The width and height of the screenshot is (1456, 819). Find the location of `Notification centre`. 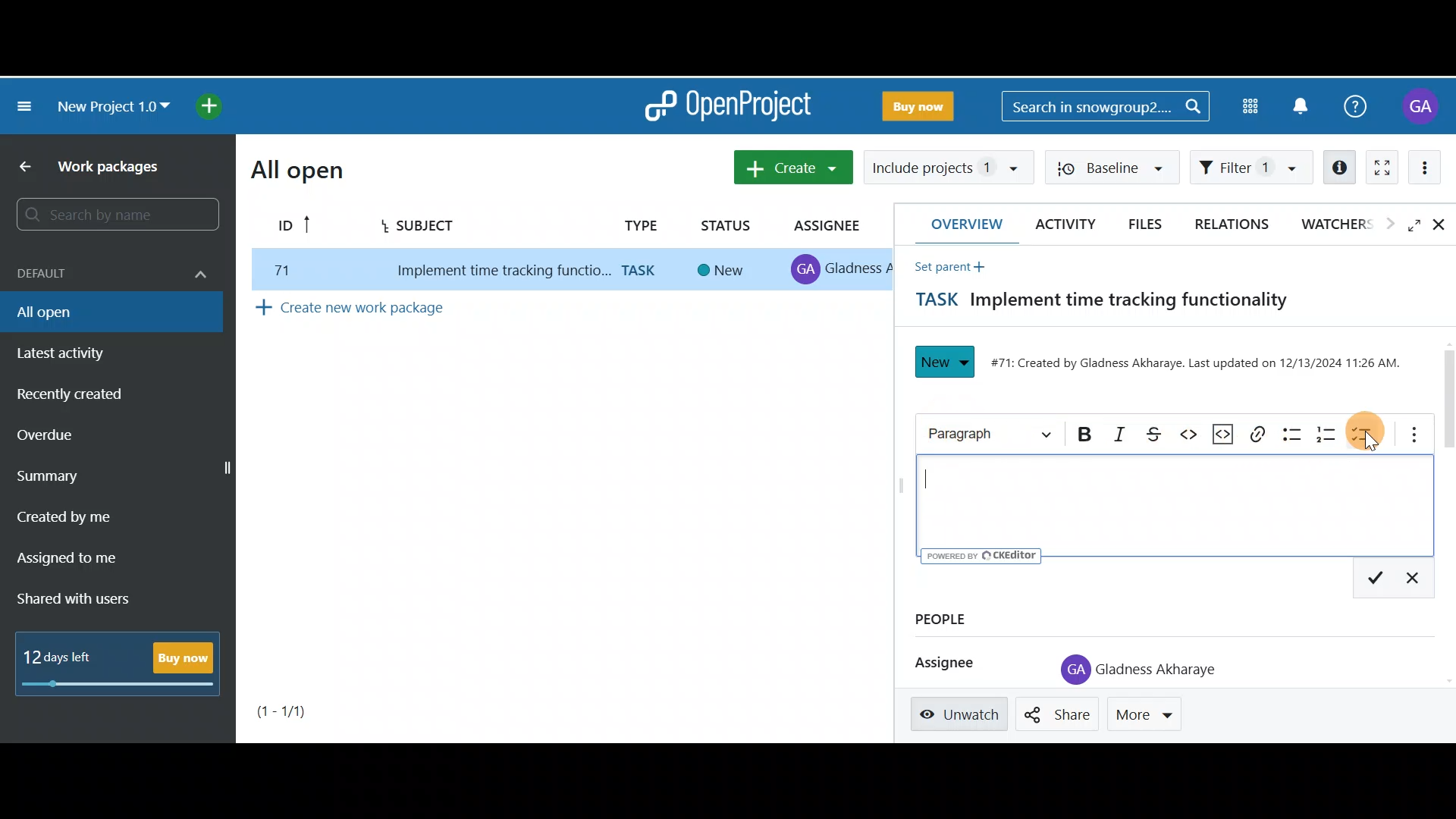

Notification centre is located at coordinates (1310, 105).